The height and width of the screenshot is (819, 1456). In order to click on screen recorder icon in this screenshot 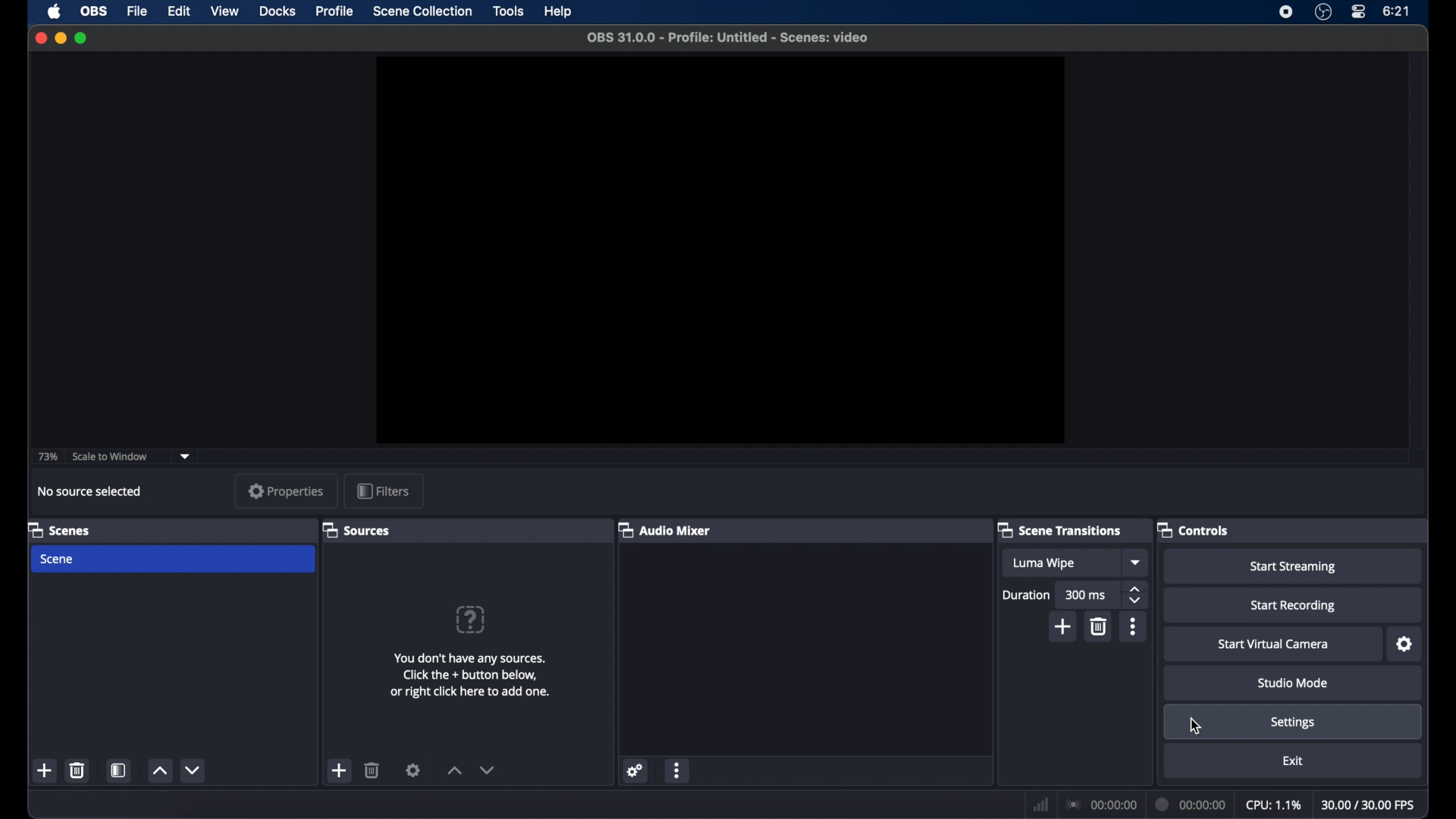, I will do `click(1286, 11)`.